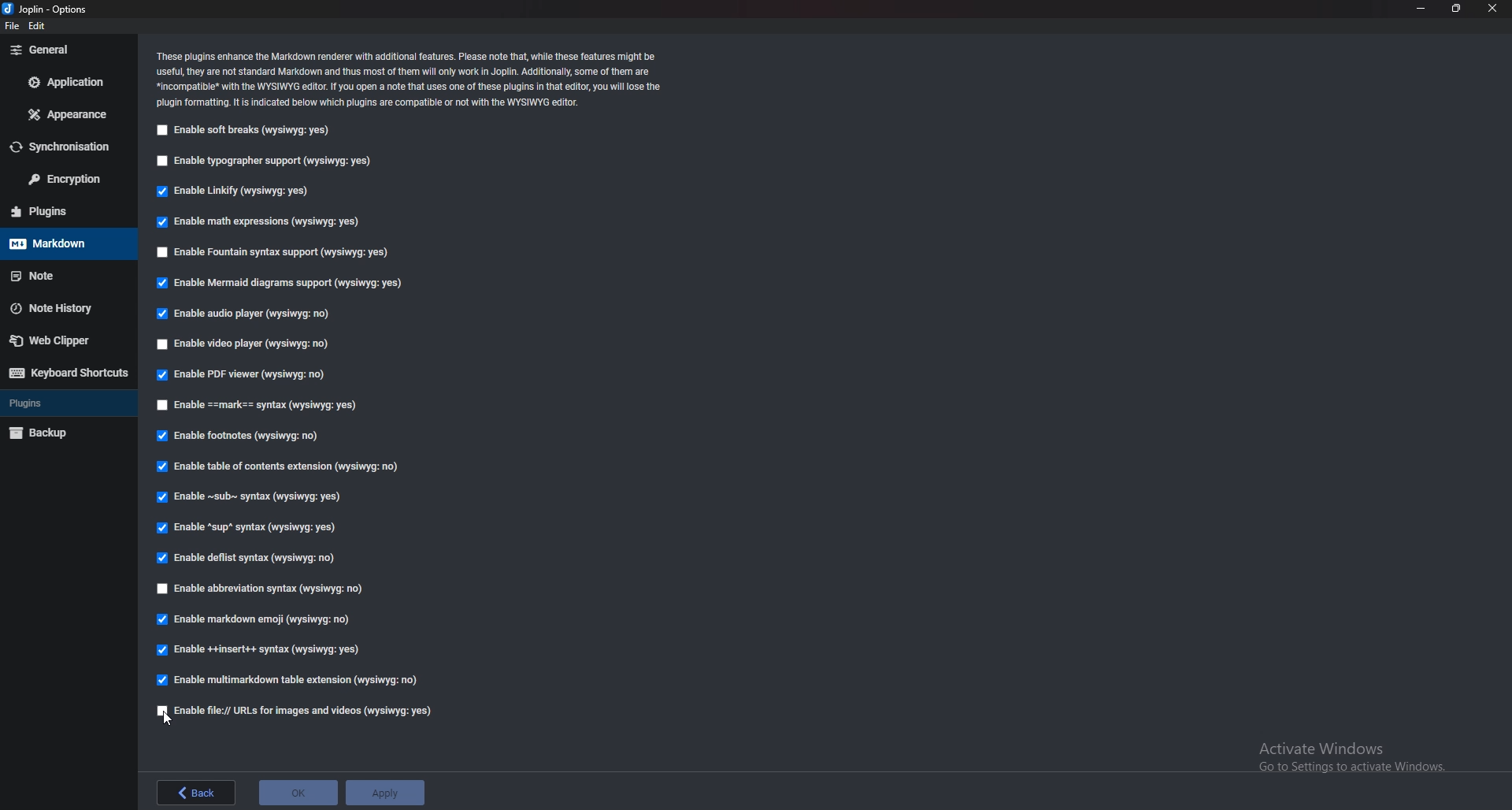 The height and width of the screenshot is (810, 1512). I want to click on Enable sub syntax, so click(252, 500).